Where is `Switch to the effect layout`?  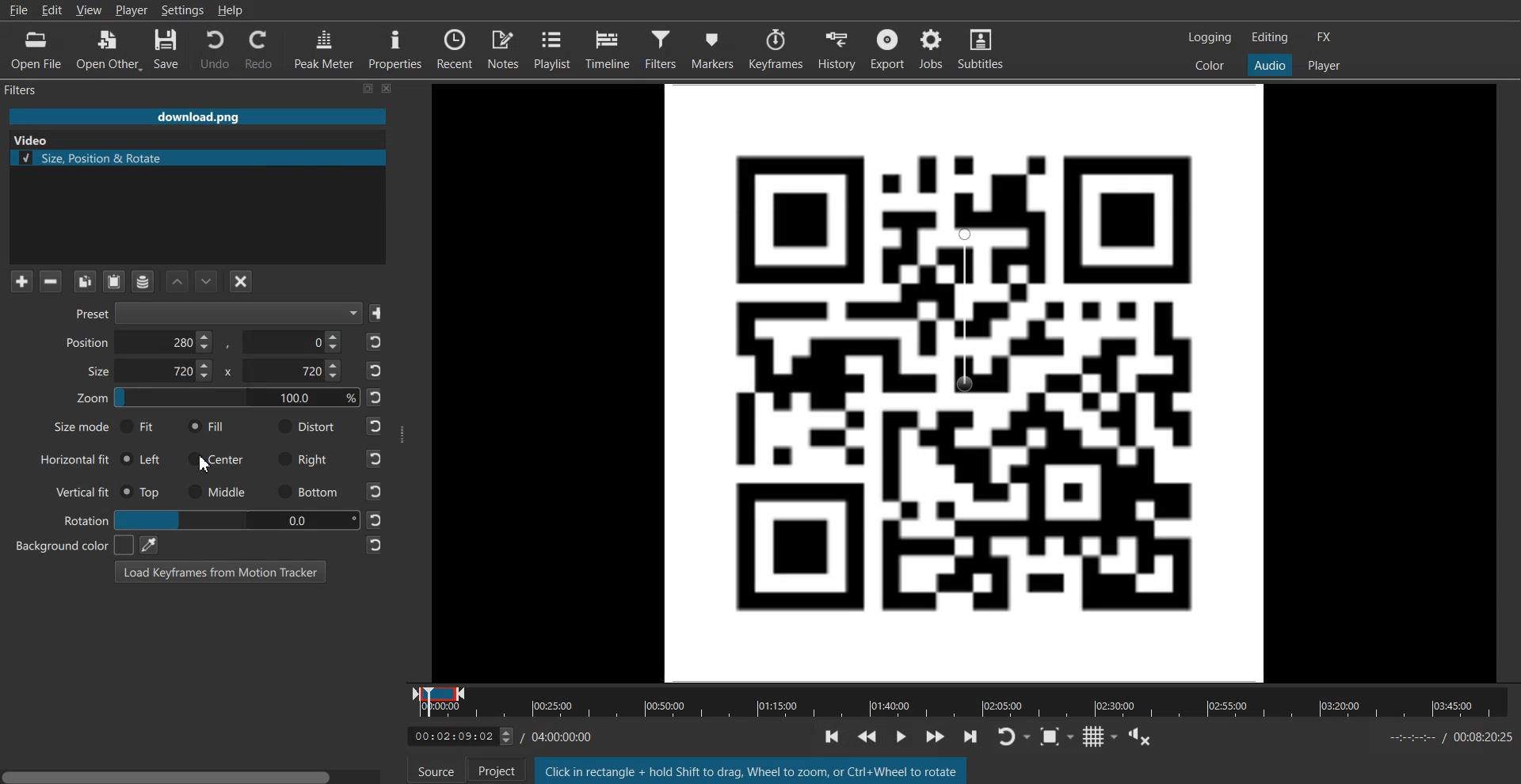 Switch to the effect layout is located at coordinates (1325, 37).